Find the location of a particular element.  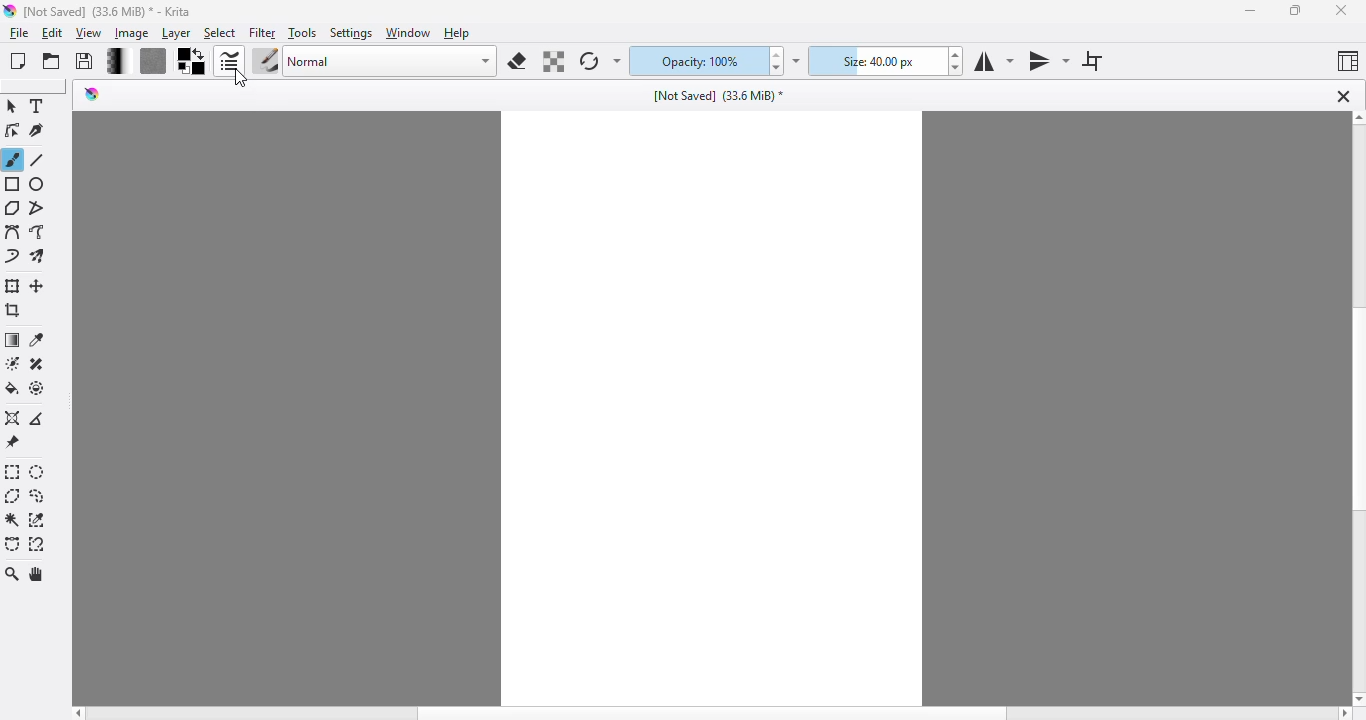

magnetic curve selection tool is located at coordinates (37, 544).